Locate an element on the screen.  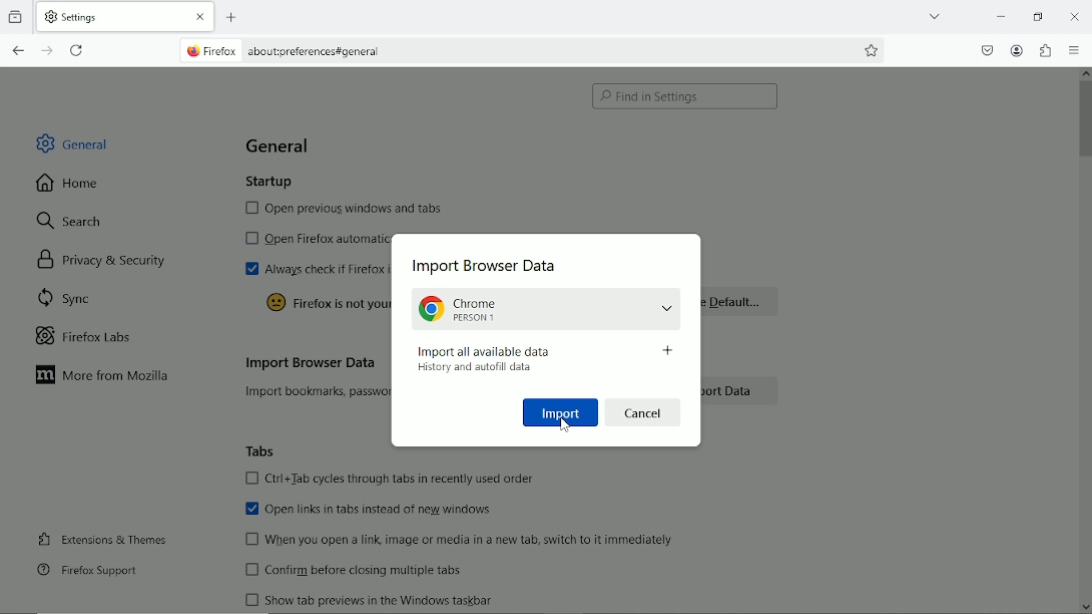
Extensions is located at coordinates (1044, 50).